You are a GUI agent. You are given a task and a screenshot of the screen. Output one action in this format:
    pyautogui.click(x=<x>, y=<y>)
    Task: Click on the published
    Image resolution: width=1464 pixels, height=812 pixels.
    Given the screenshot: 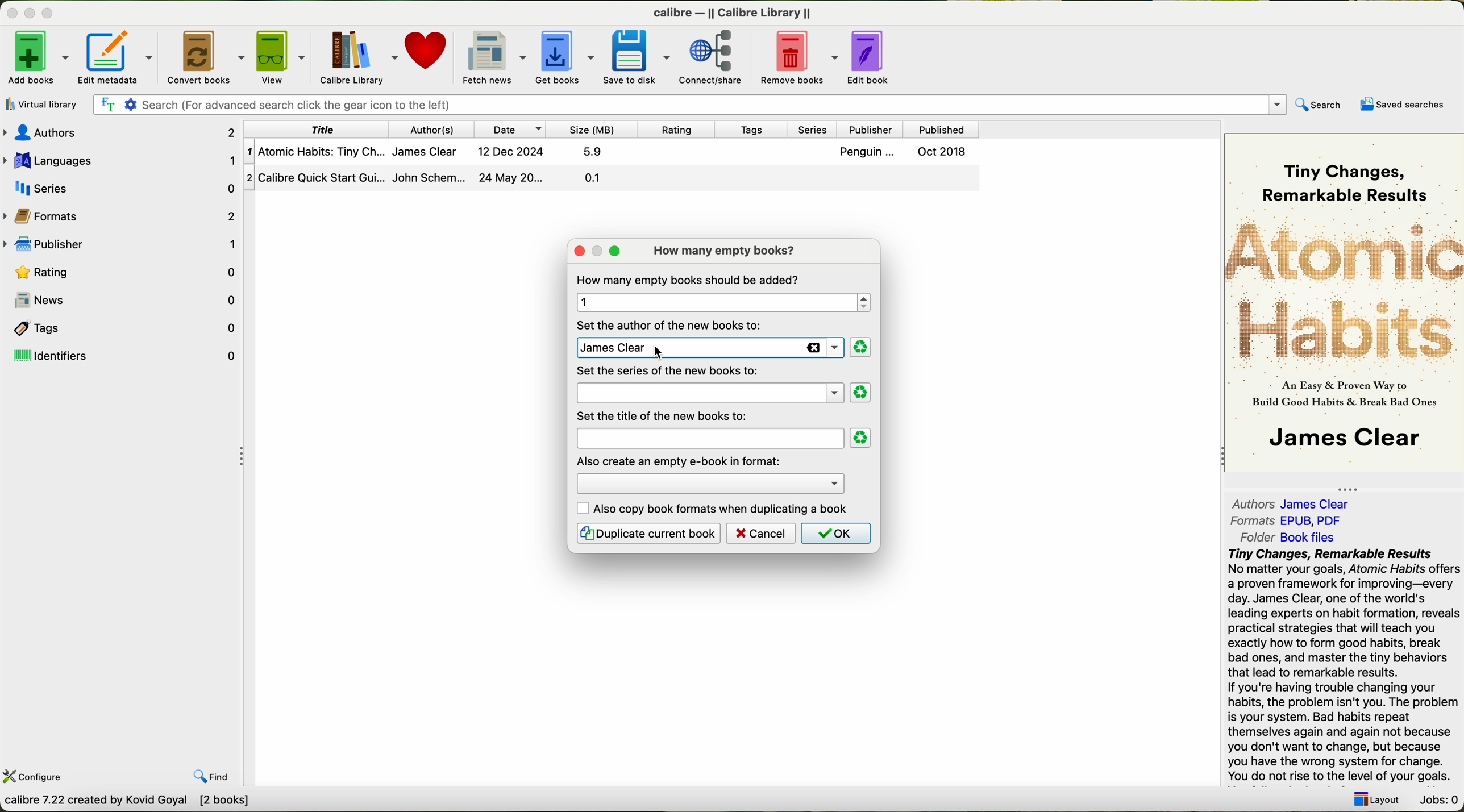 What is the action you would take?
    pyautogui.click(x=944, y=127)
    